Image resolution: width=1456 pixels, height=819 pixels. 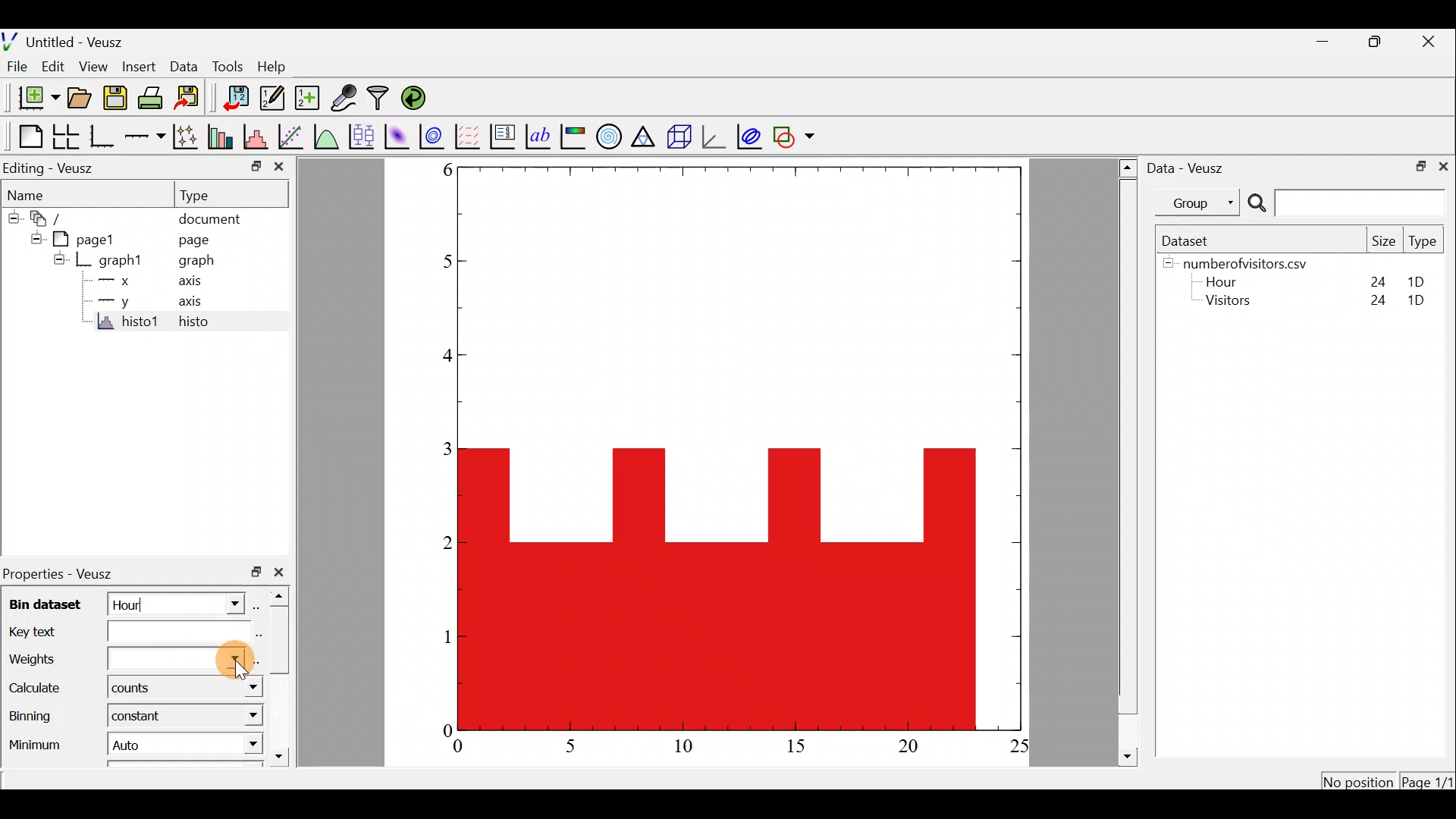 What do you see at coordinates (467, 134) in the screenshot?
I see `plot a vector field` at bounding box center [467, 134].